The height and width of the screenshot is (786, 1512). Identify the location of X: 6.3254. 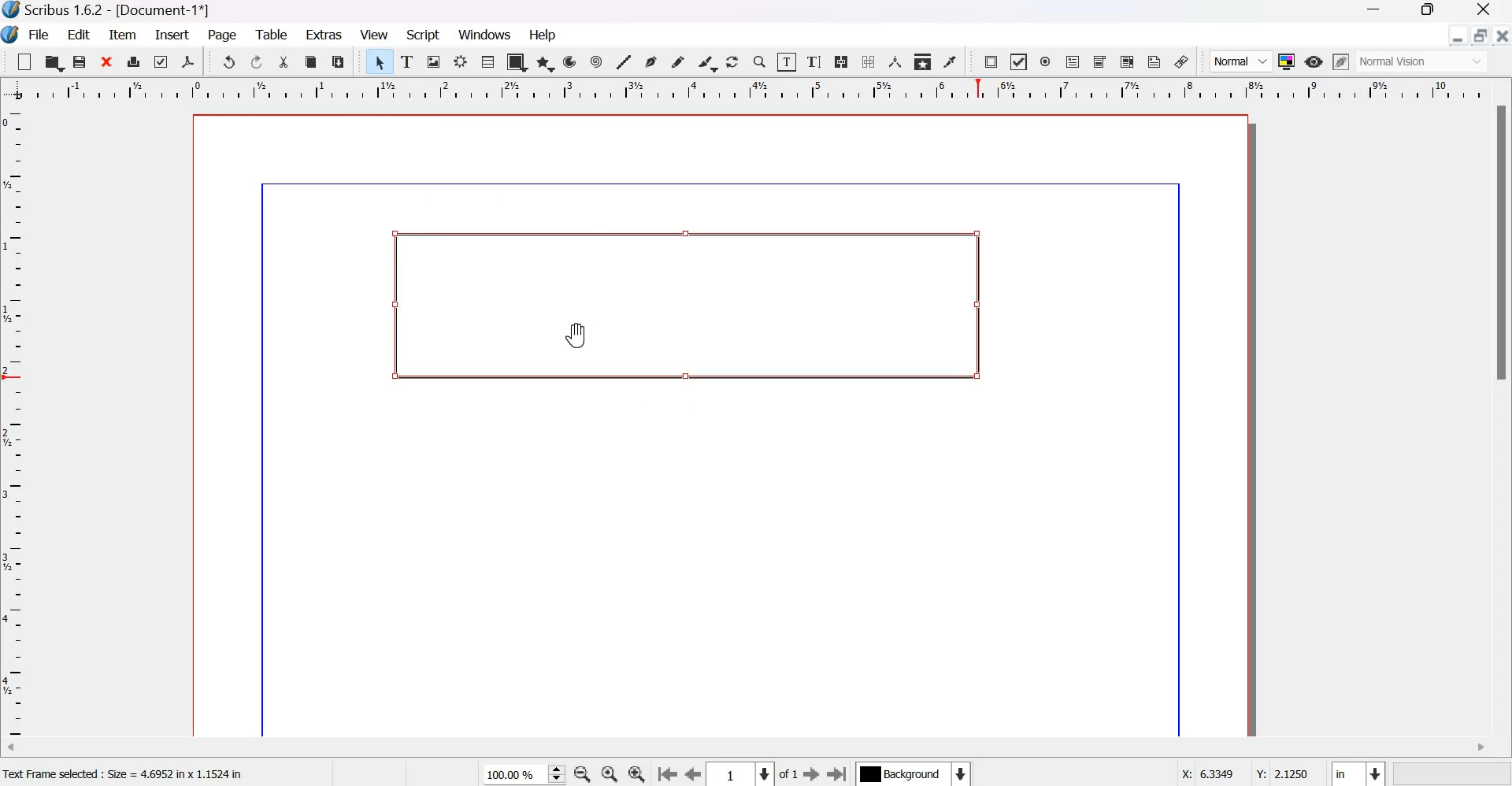
(1202, 773).